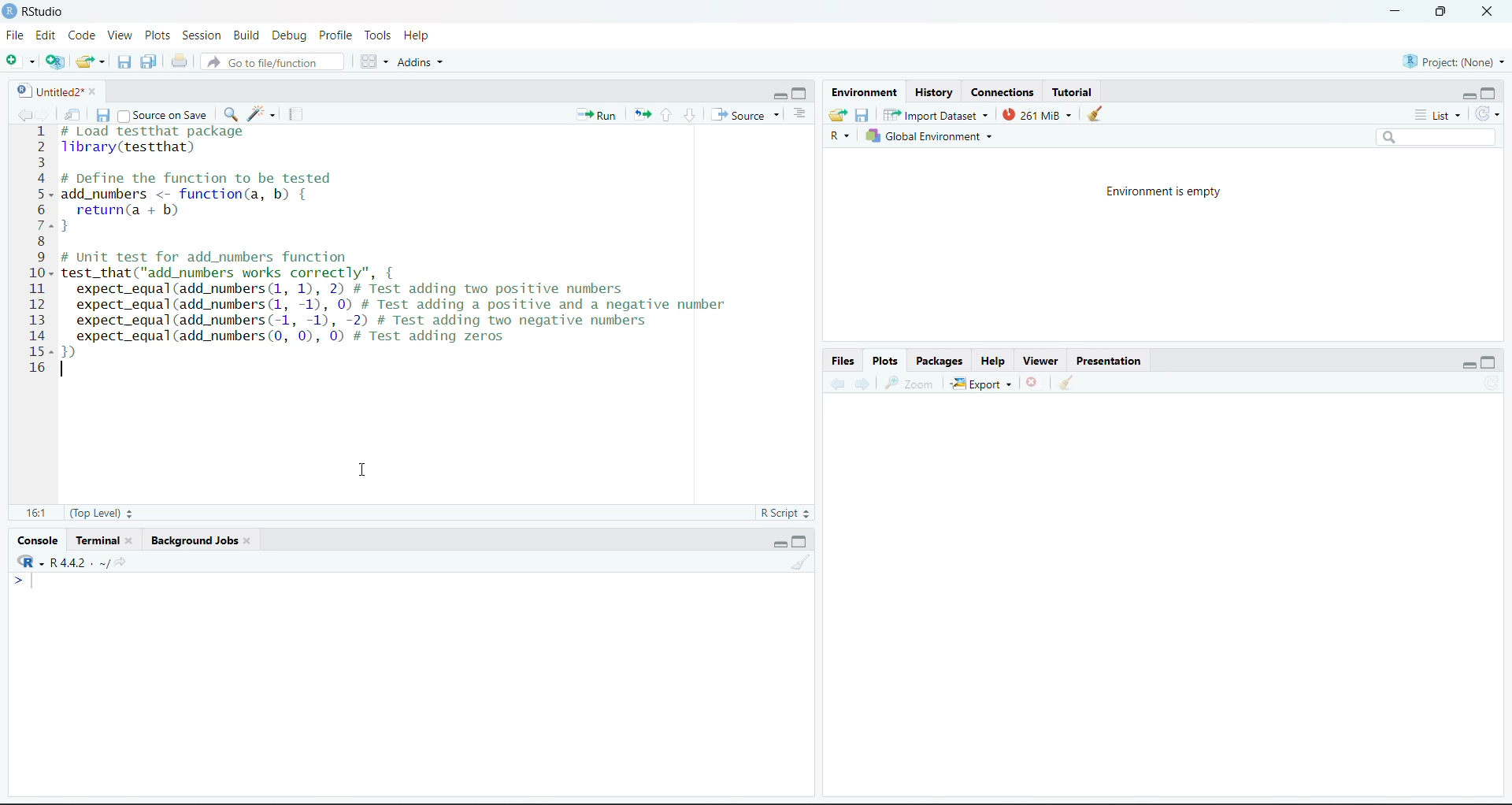 This screenshot has height=805, width=1512. I want to click on Clear workspace, so click(802, 563).